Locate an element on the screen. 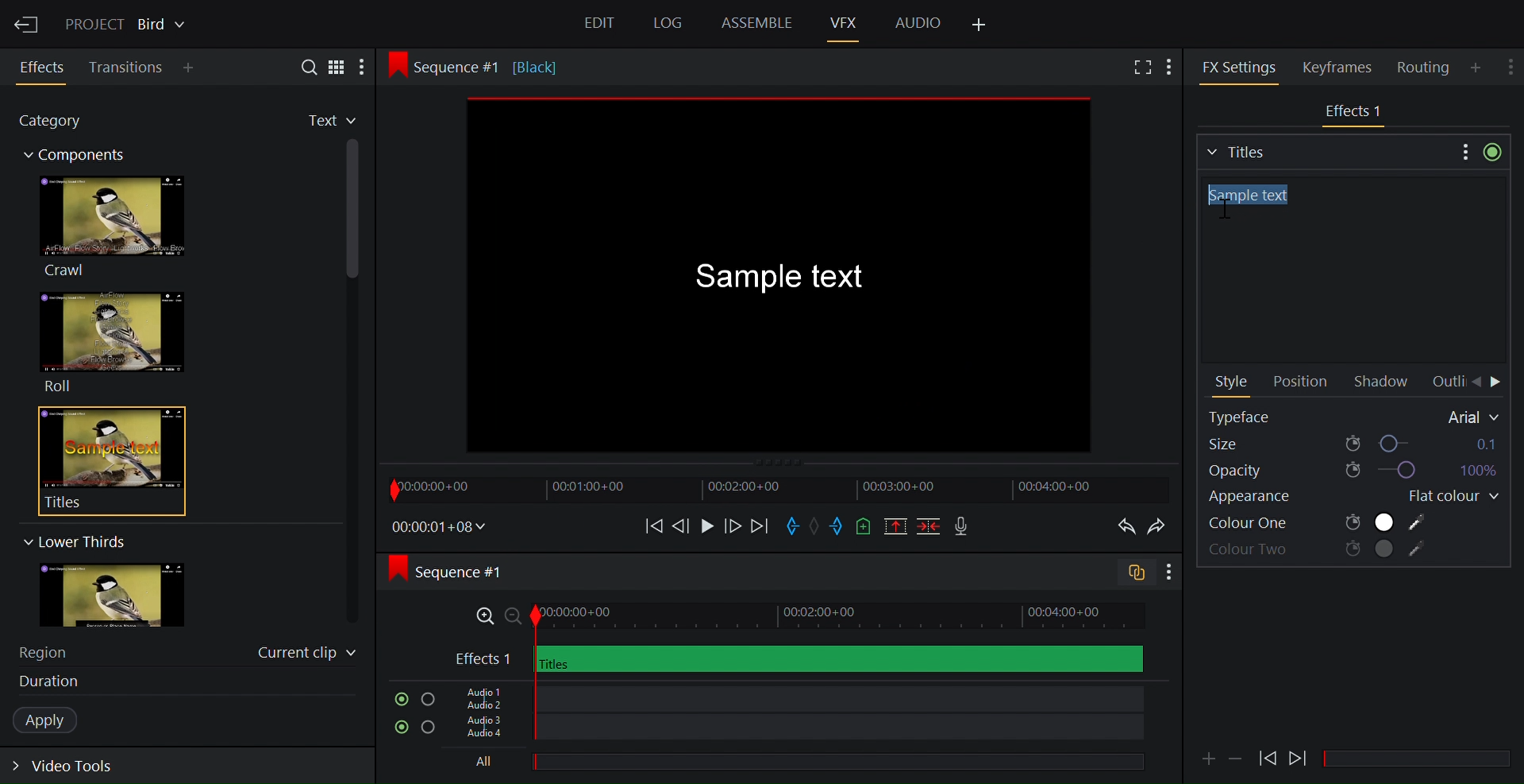 The image size is (1524, 784). Delete/cut is located at coordinates (930, 528).